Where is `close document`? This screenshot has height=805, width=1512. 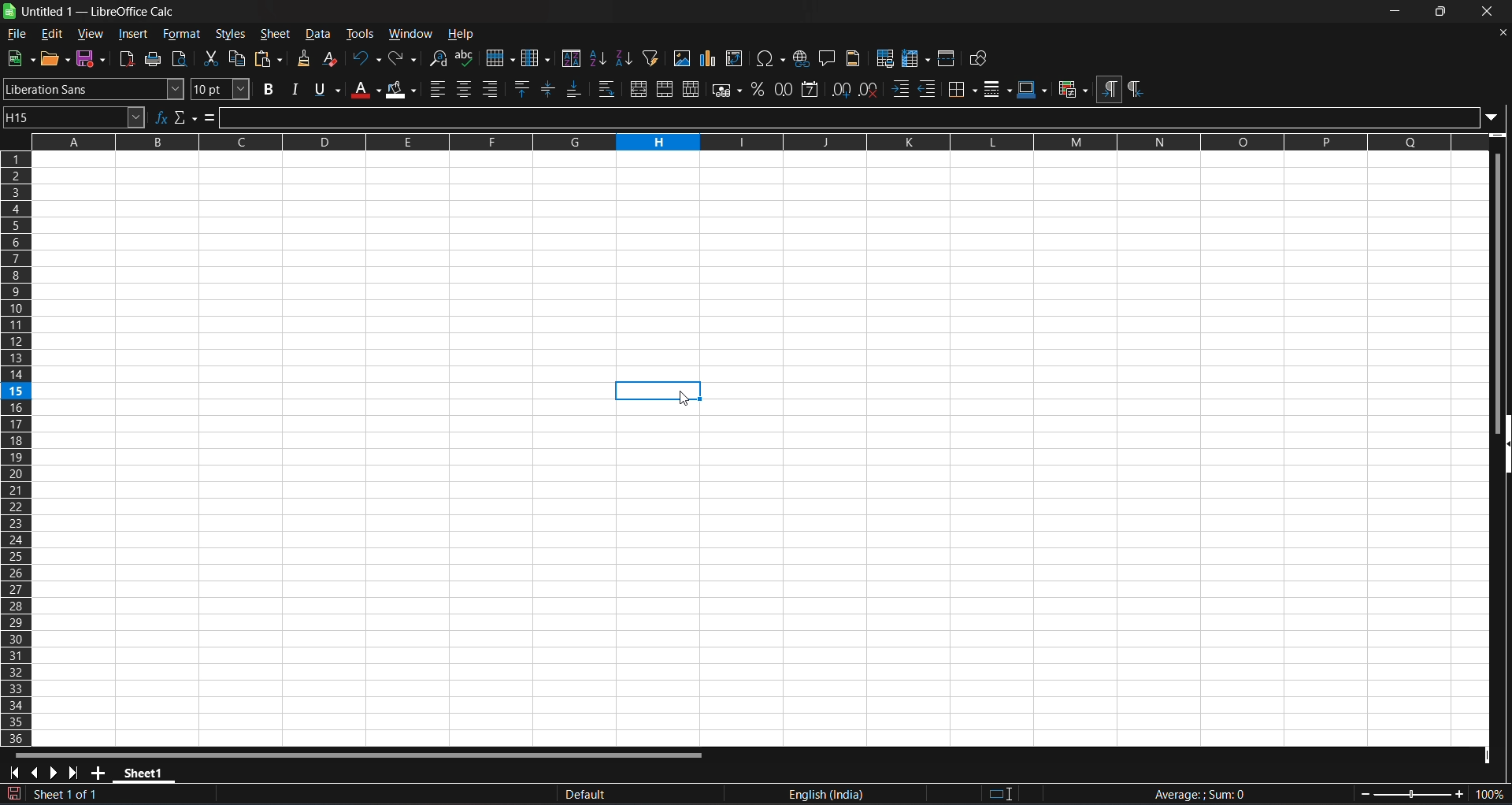 close document is located at coordinates (1503, 33).